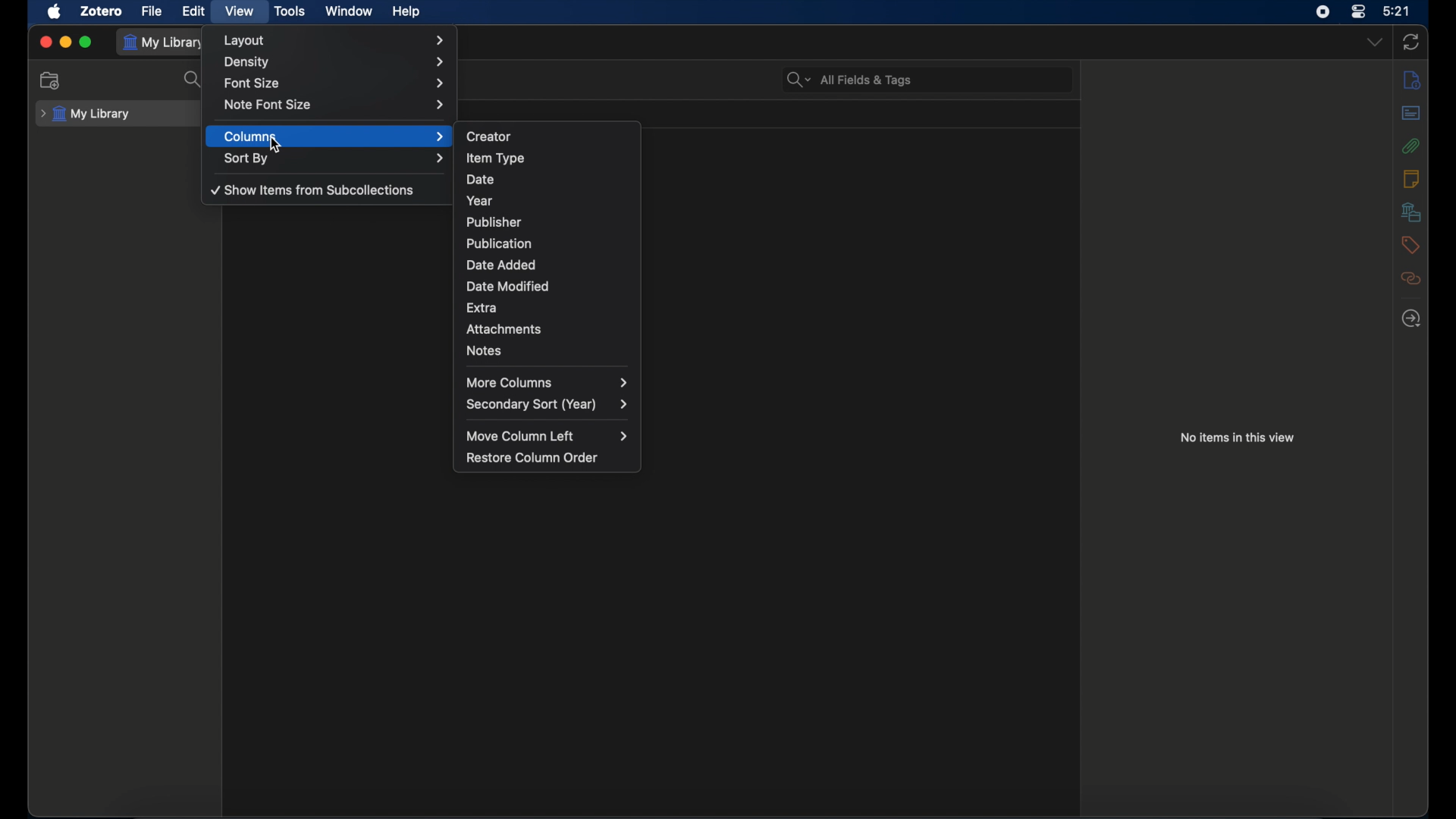 Image resolution: width=1456 pixels, height=819 pixels. I want to click on item type, so click(551, 156).